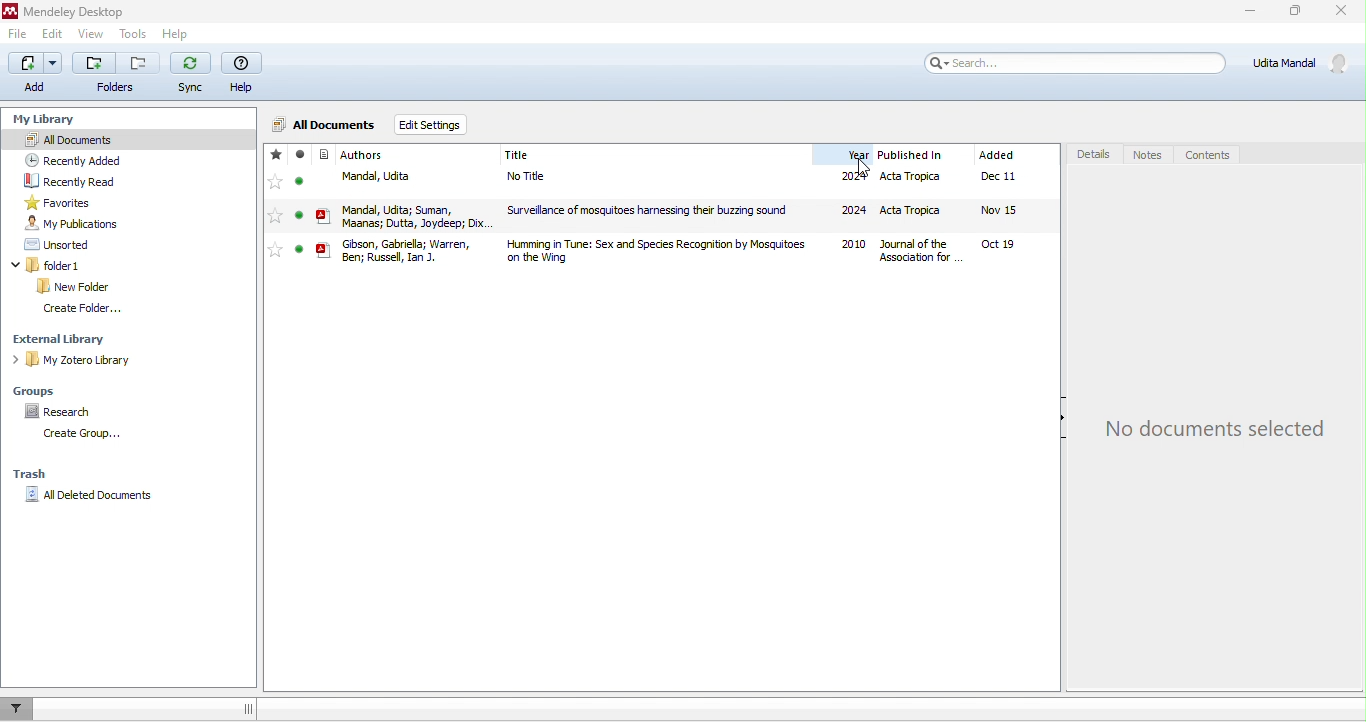  Describe the element at coordinates (135, 35) in the screenshot. I see `tools` at that location.